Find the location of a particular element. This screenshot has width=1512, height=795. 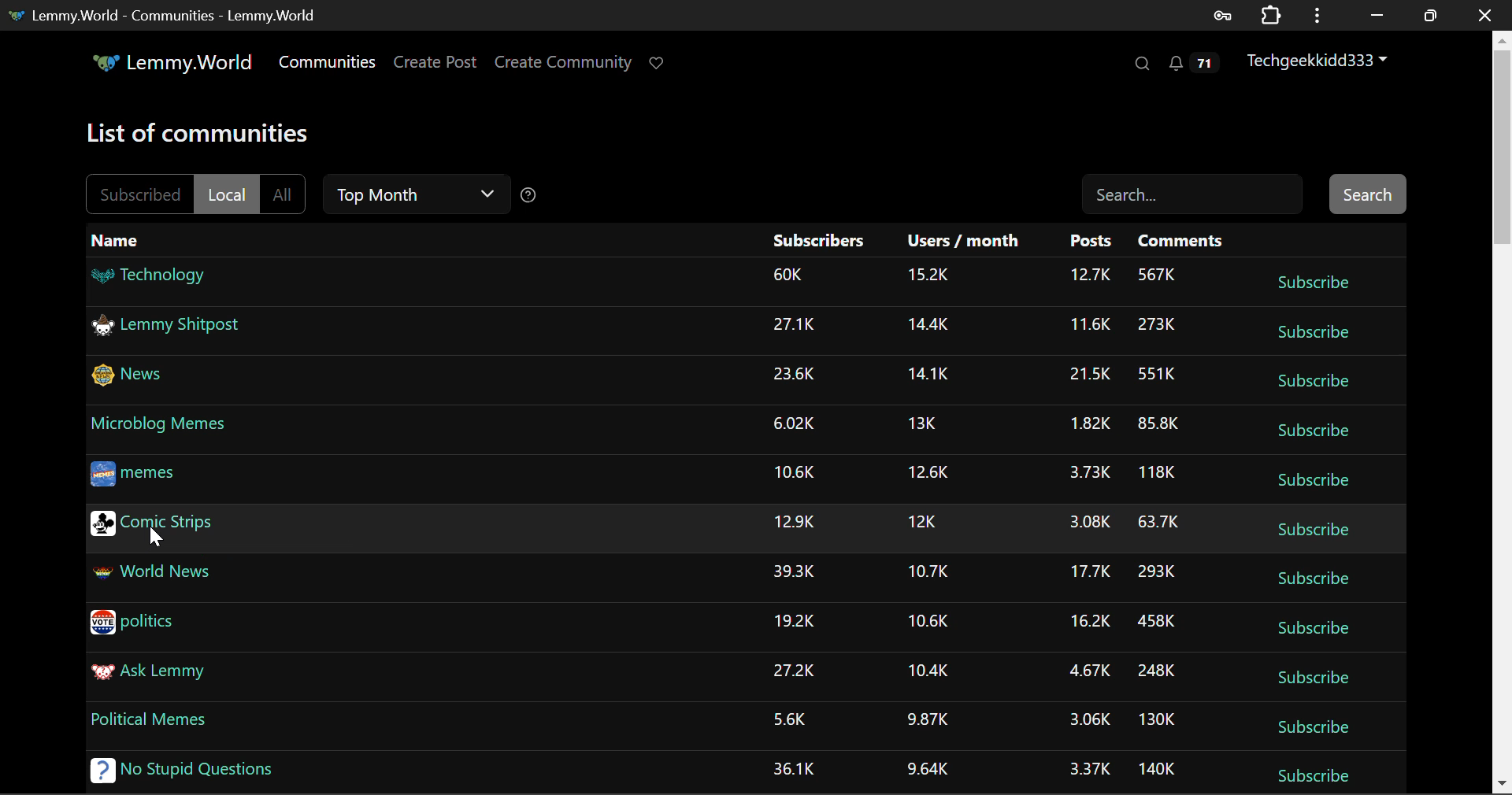

Top Month is located at coordinates (417, 194).